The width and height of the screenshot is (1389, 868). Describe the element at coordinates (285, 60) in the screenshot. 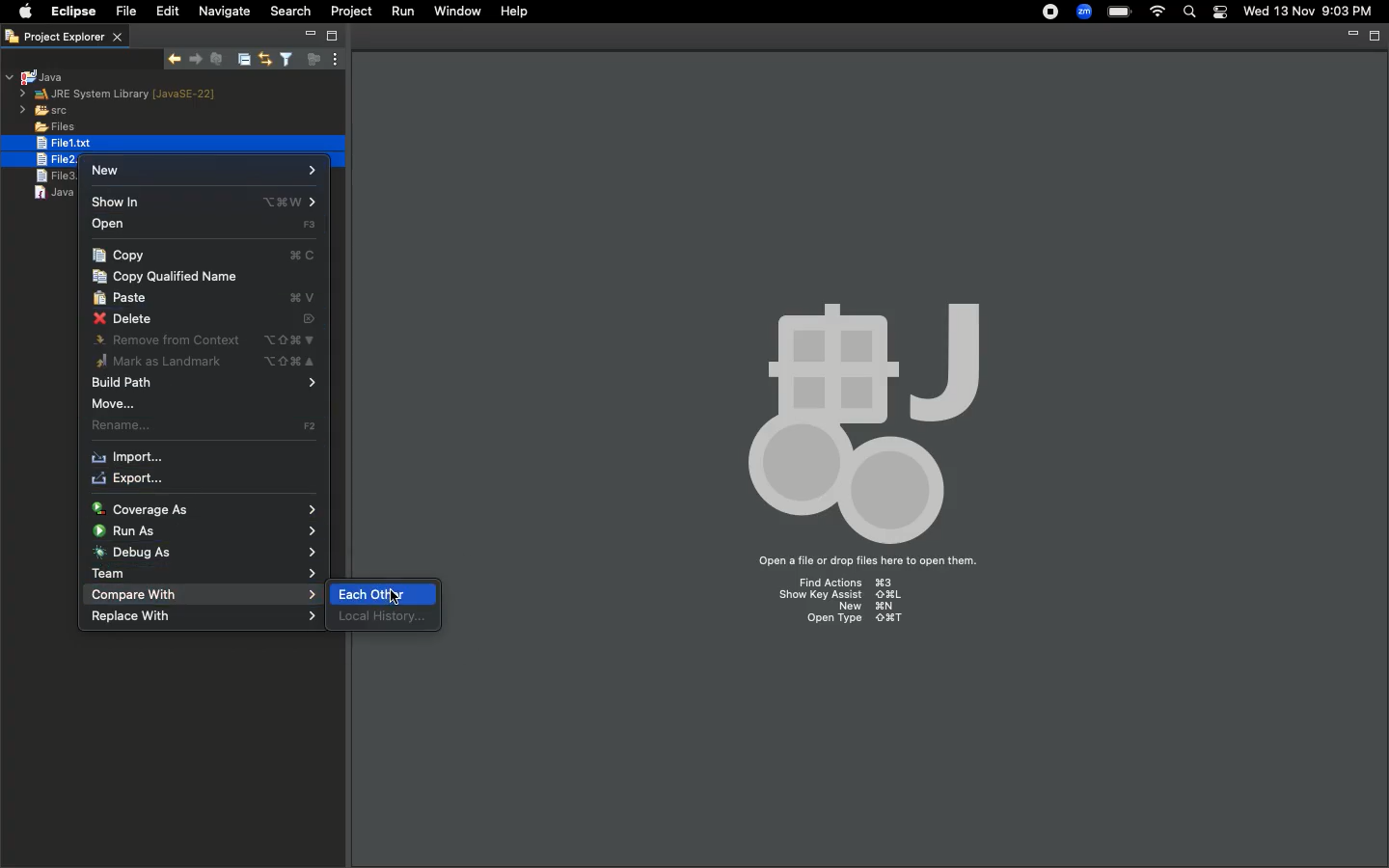

I see `Select and deselect filters ` at that location.